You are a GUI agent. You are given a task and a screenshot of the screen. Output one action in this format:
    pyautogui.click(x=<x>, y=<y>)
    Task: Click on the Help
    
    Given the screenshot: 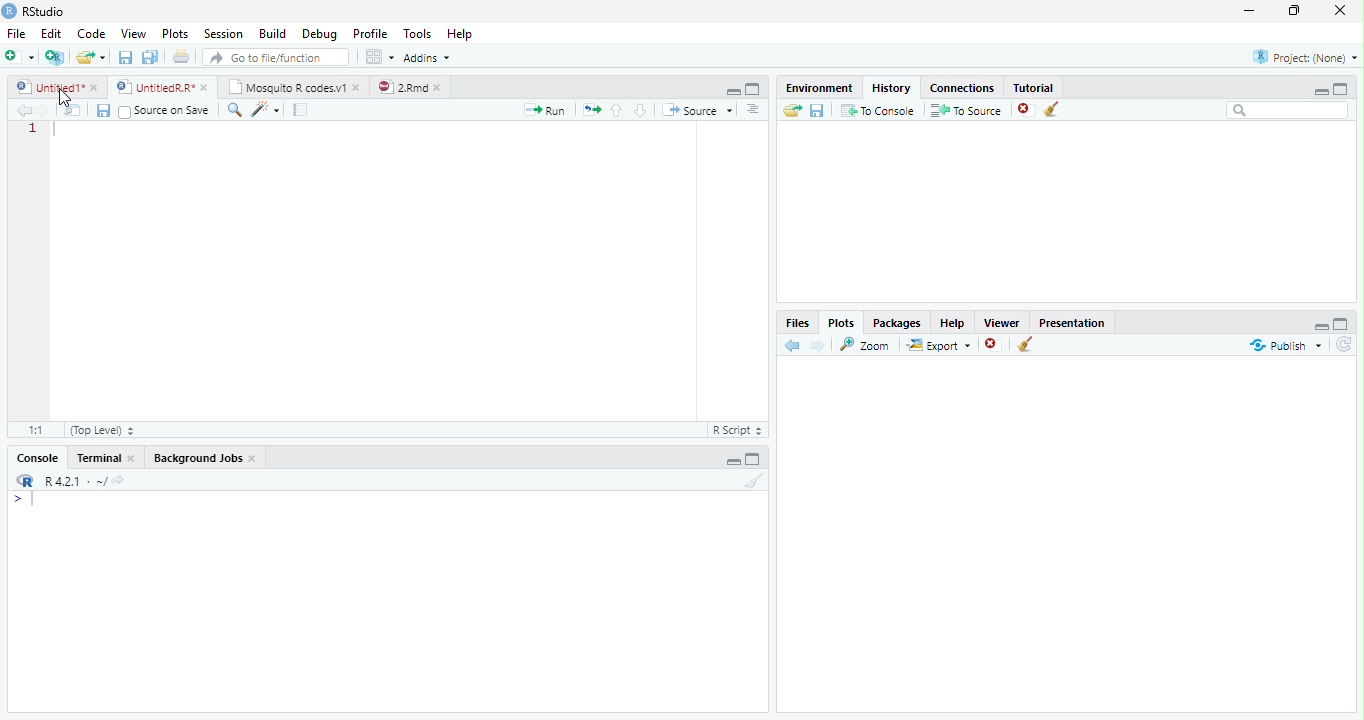 What is the action you would take?
    pyautogui.click(x=462, y=35)
    